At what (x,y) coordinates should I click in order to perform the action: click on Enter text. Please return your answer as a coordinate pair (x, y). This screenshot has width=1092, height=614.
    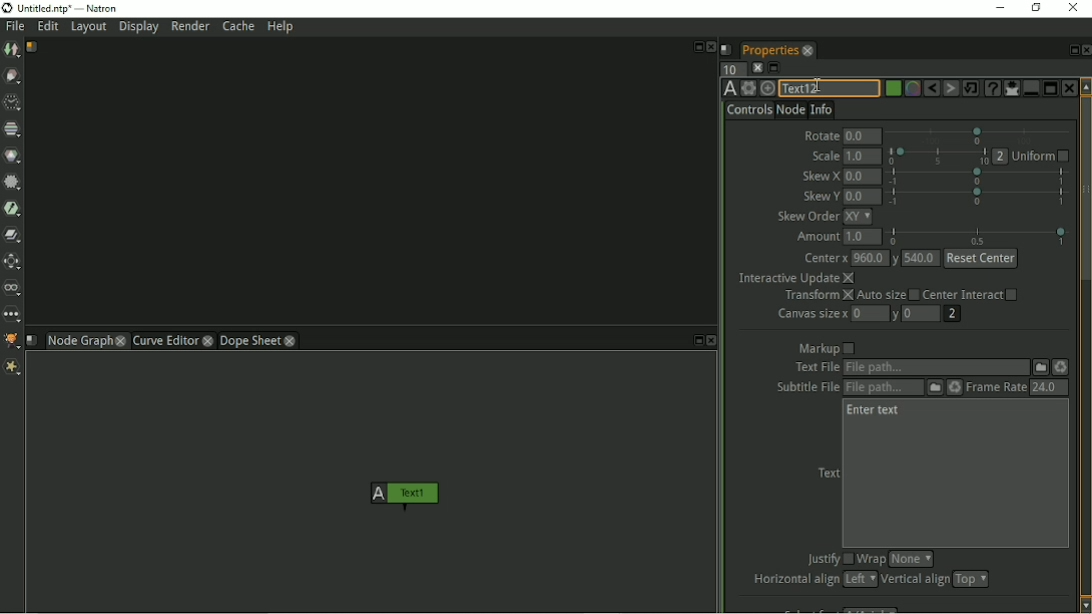
    Looking at the image, I should click on (874, 411).